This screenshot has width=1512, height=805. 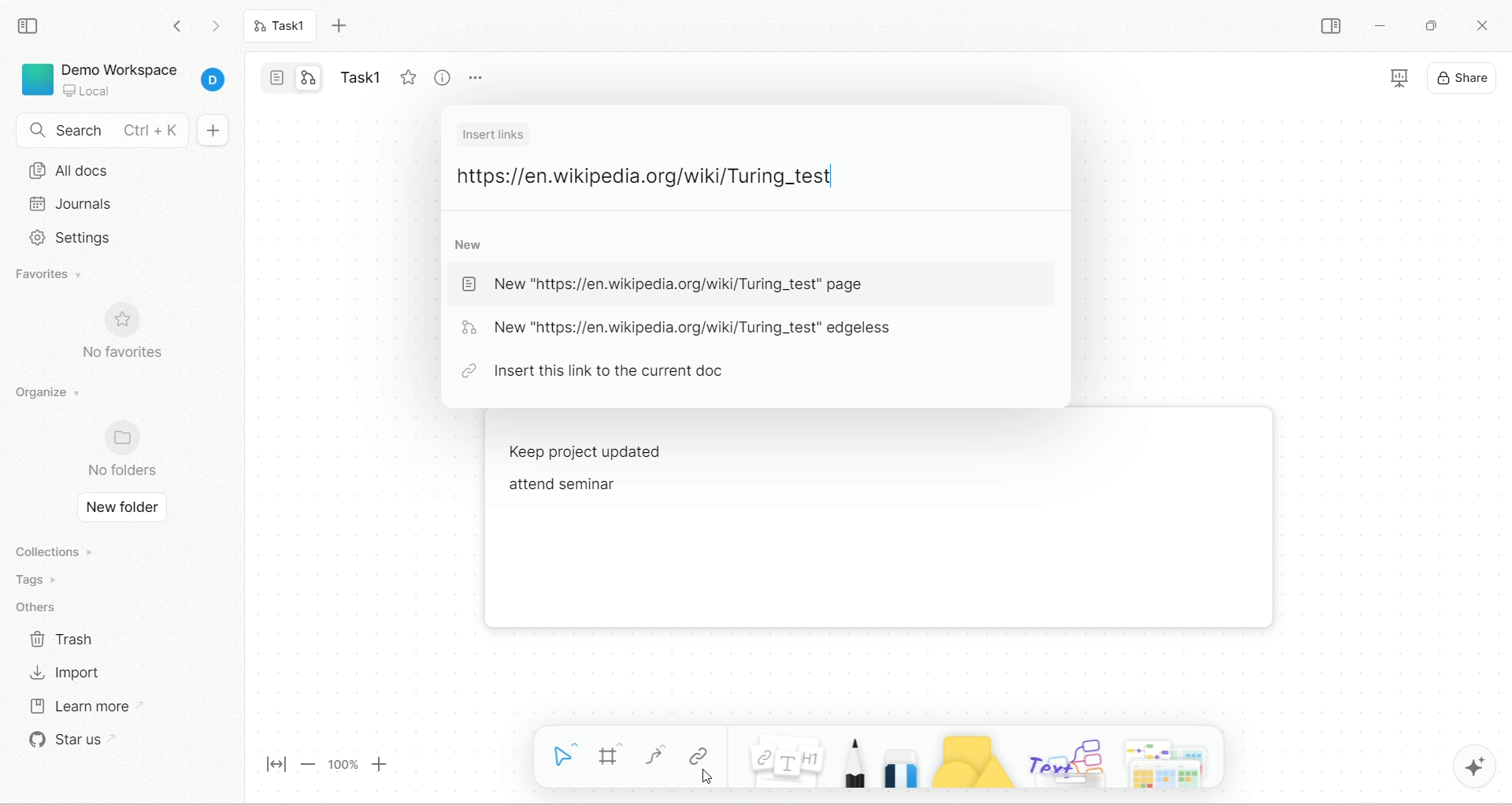 What do you see at coordinates (102, 131) in the screenshot?
I see `search` at bounding box center [102, 131].